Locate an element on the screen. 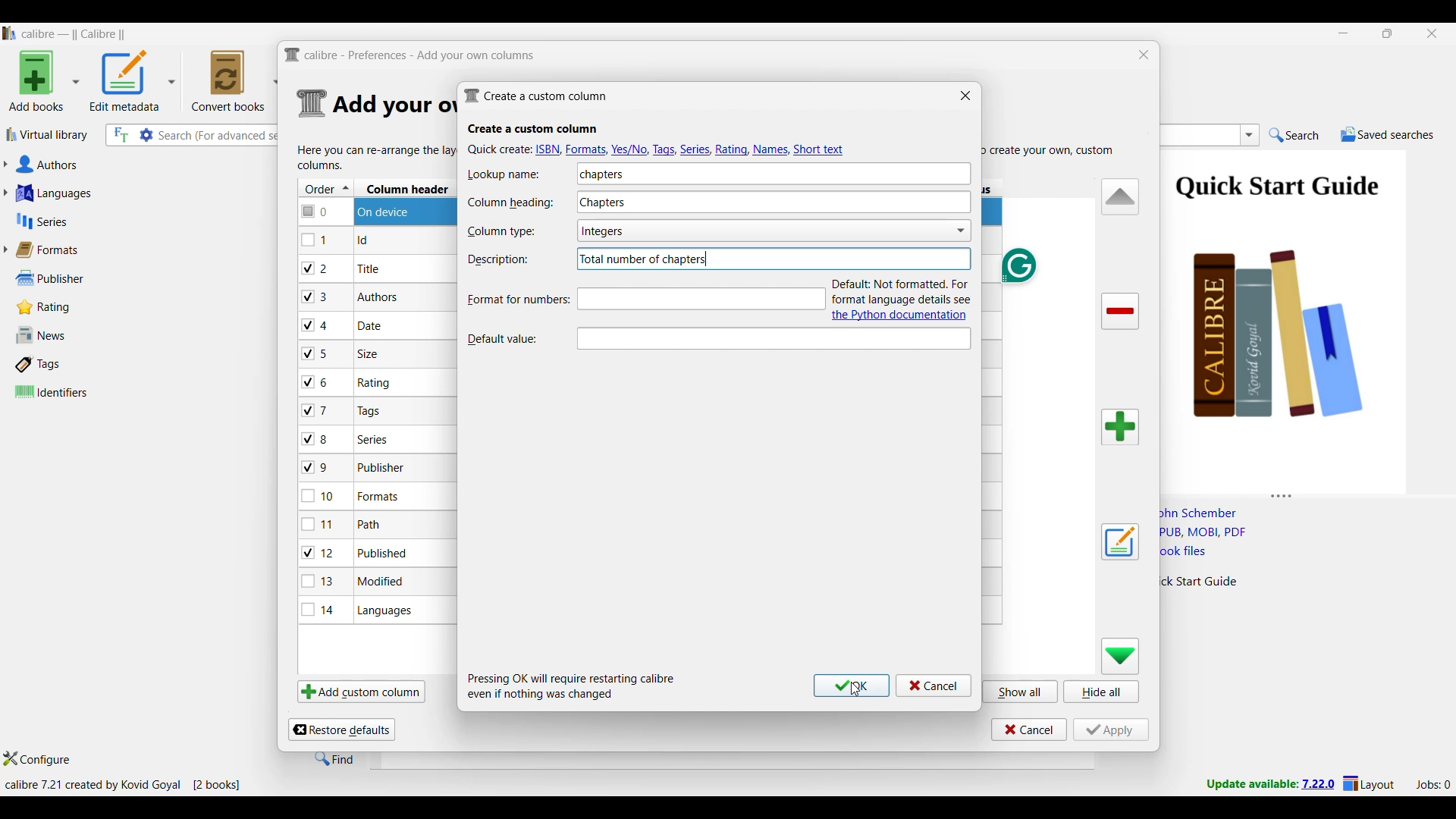 This screenshot has width=1456, height=819. Ok is located at coordinates (852, 686).